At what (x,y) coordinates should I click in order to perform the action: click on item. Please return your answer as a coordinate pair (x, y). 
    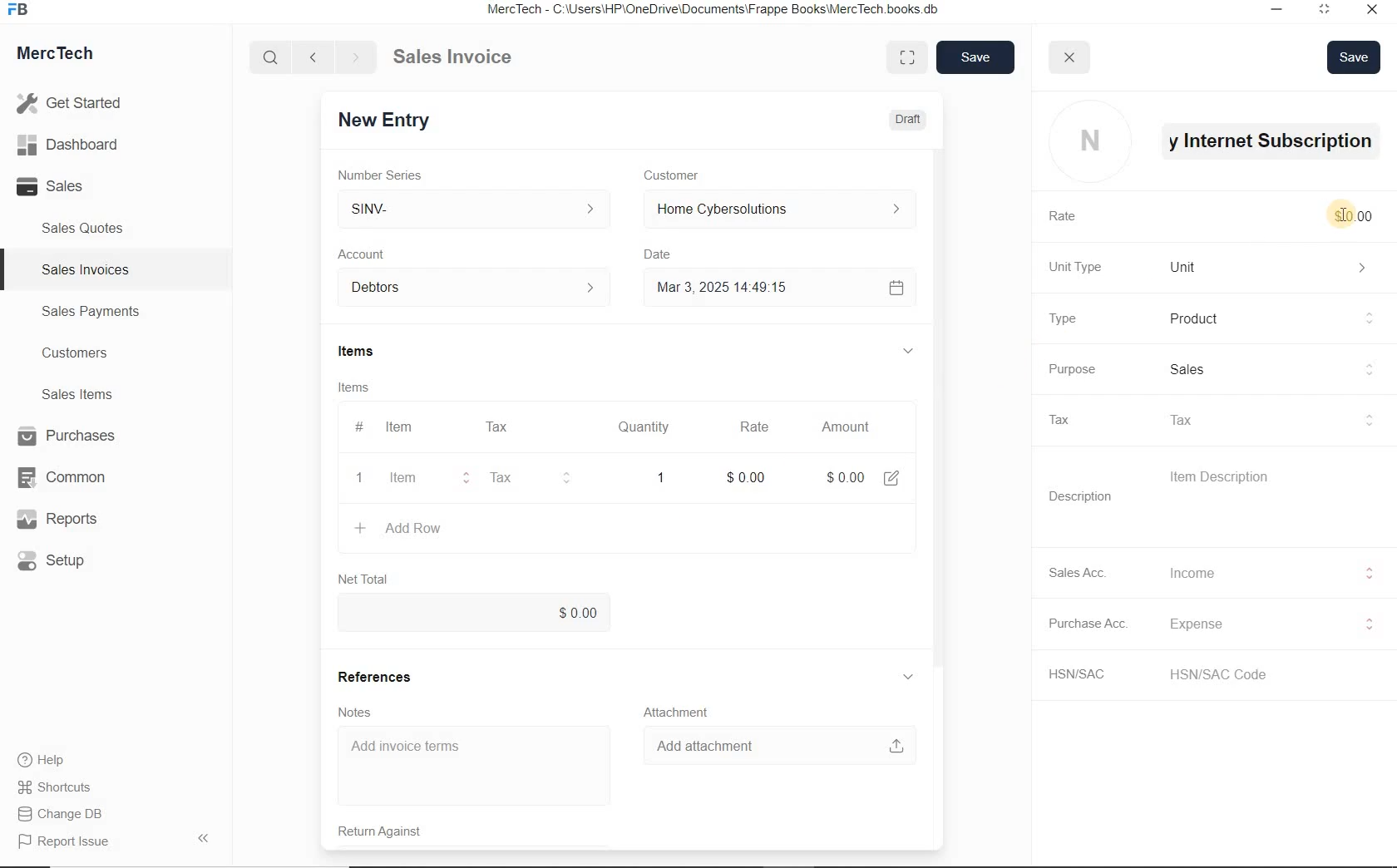
    Looking at the image, I should click on (407, 480).